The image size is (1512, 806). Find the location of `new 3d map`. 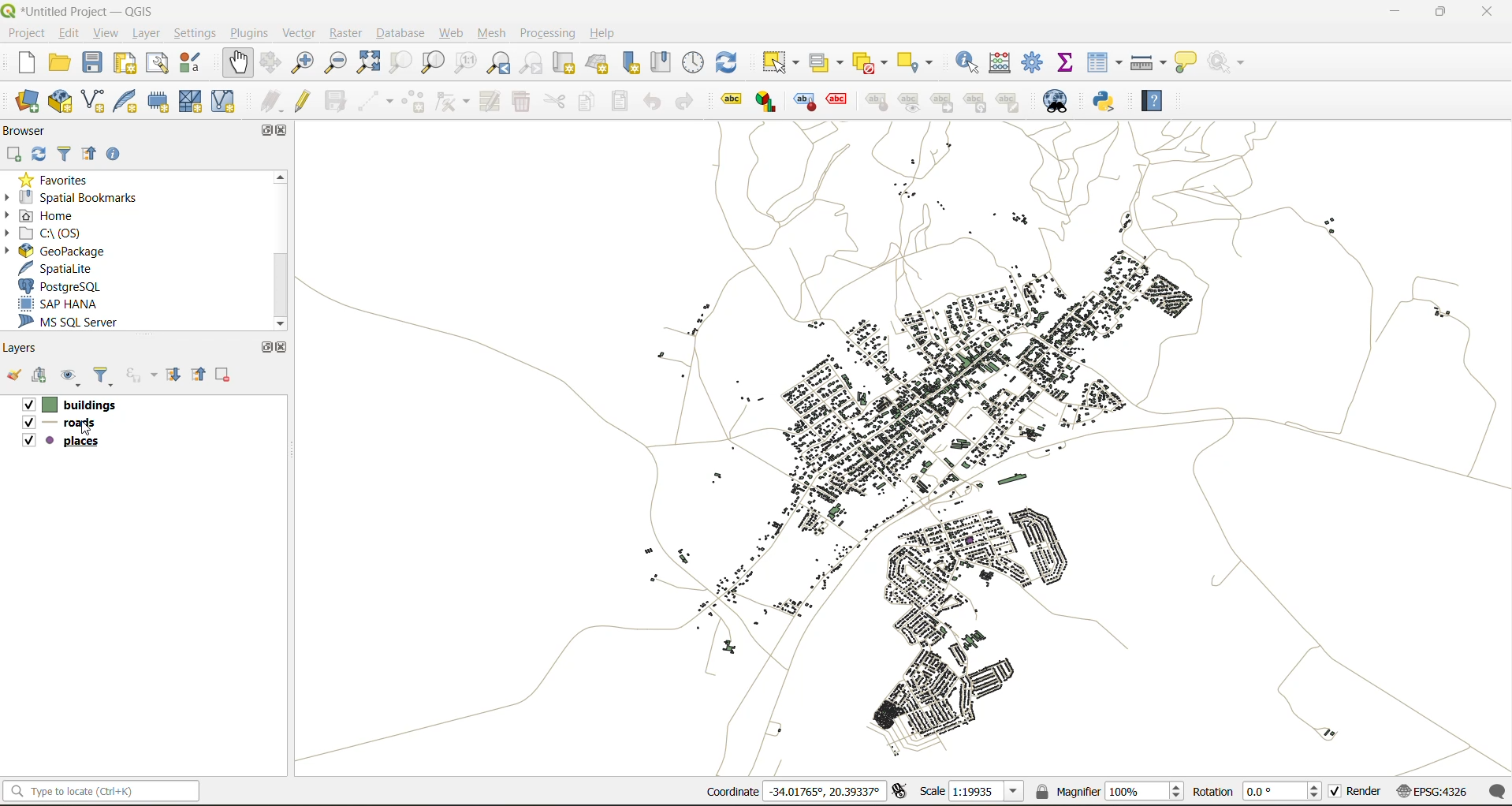

new 3d map is located at coordinates (598, 64).